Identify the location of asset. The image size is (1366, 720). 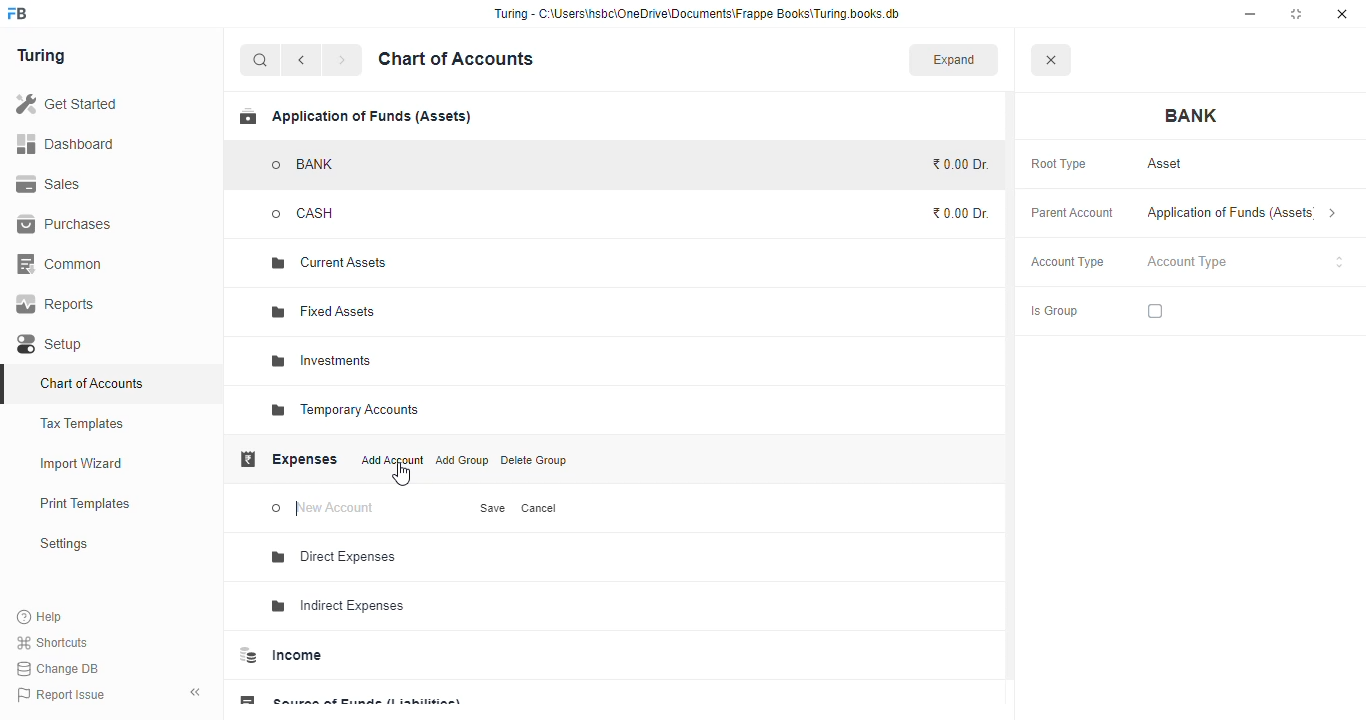
(1166, 164).